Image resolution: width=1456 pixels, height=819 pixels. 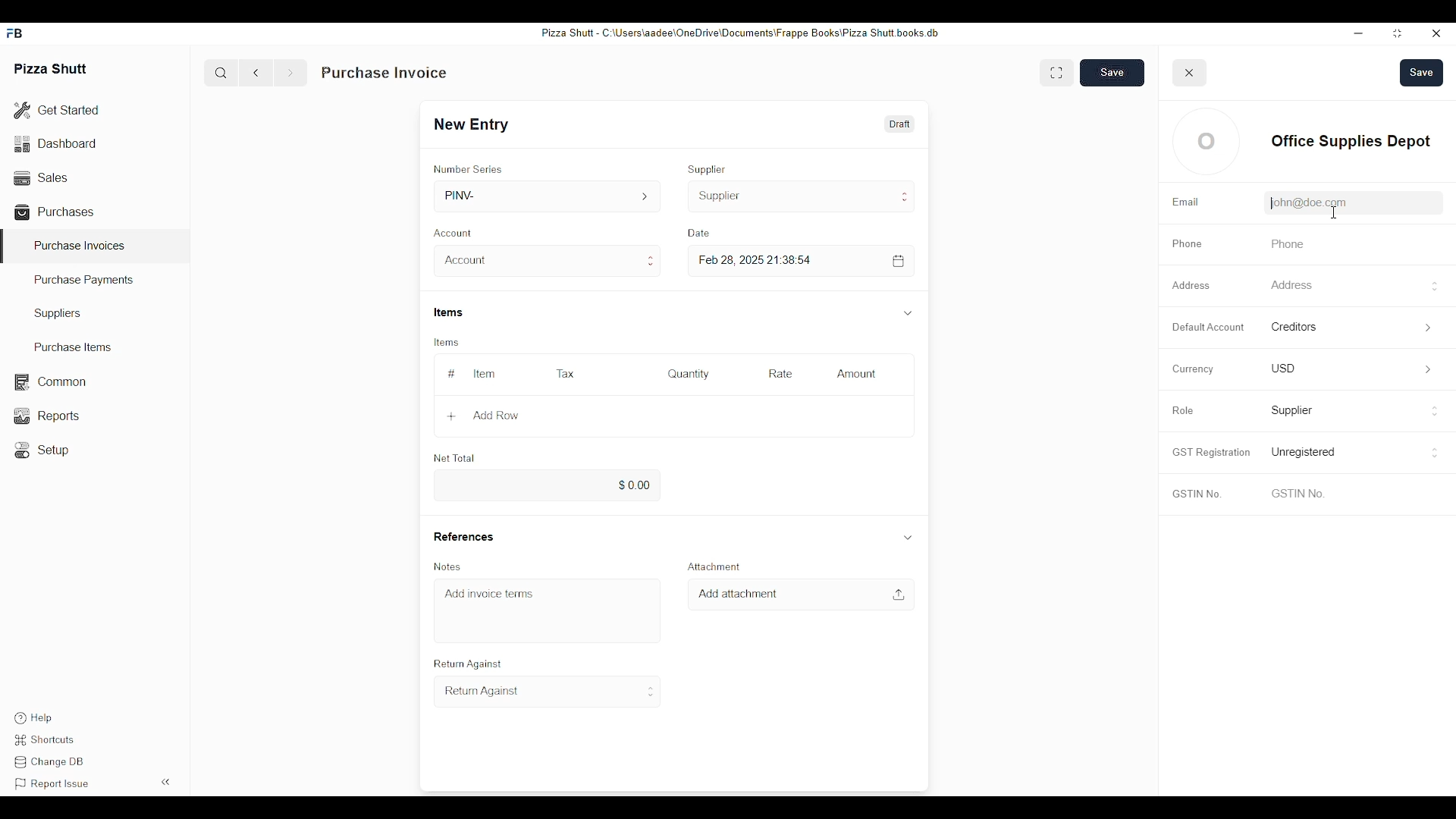 I want to click on Account, so click(x=546, y=261).